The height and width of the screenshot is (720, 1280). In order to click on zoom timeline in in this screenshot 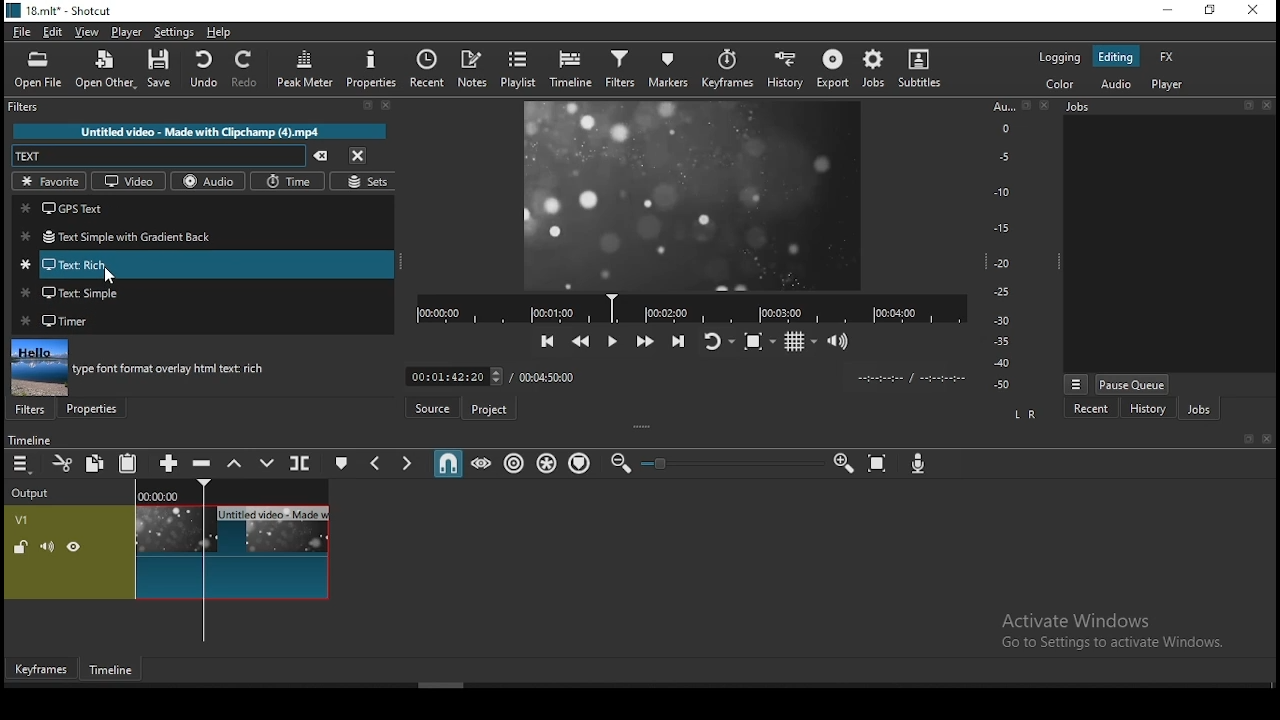, I will do `click(842, 462)`.